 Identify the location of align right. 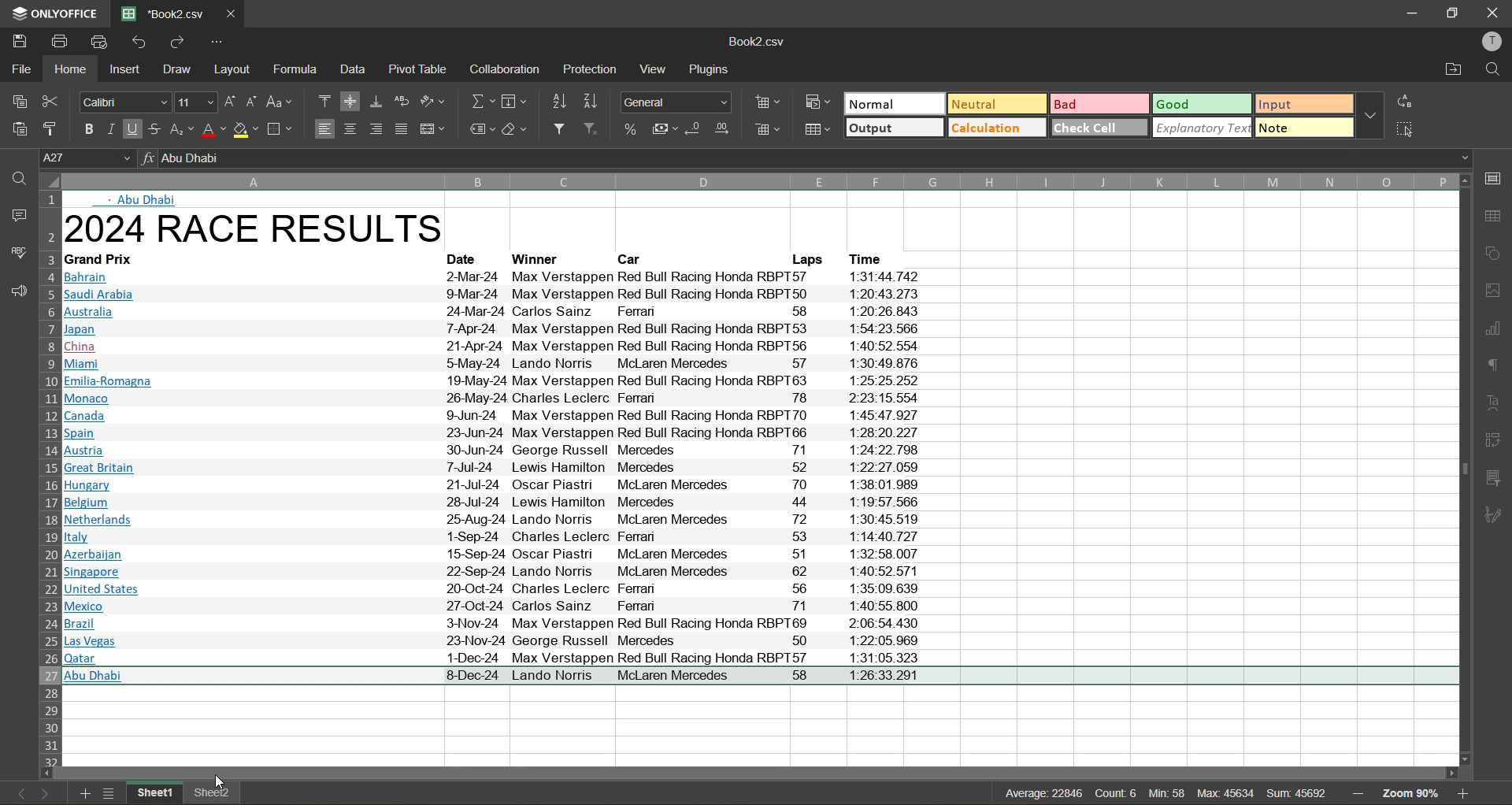
(380, 129).